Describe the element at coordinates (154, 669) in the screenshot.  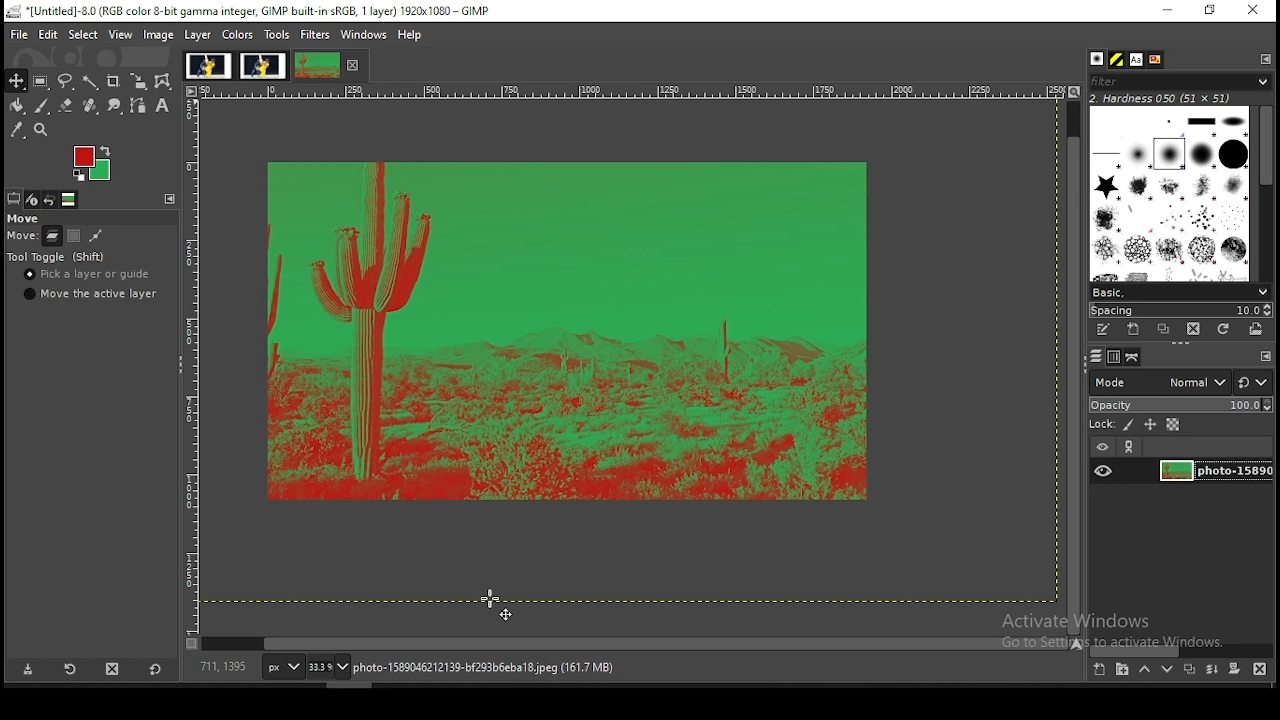
I see `reset to defaults` at that location.